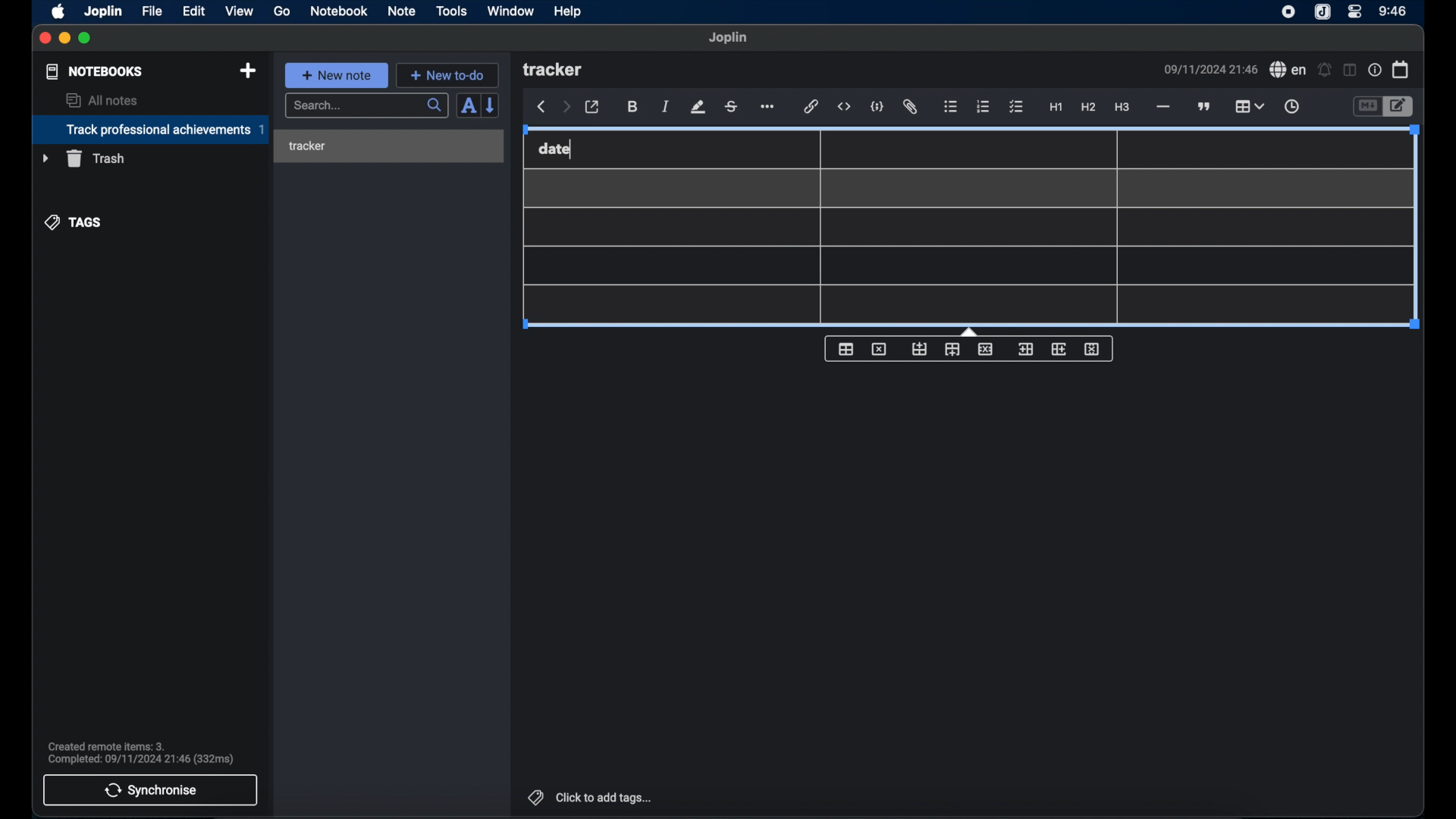 The width and height of the screenshot is (1456, 819). I want to click on tools, so click(452, 11).